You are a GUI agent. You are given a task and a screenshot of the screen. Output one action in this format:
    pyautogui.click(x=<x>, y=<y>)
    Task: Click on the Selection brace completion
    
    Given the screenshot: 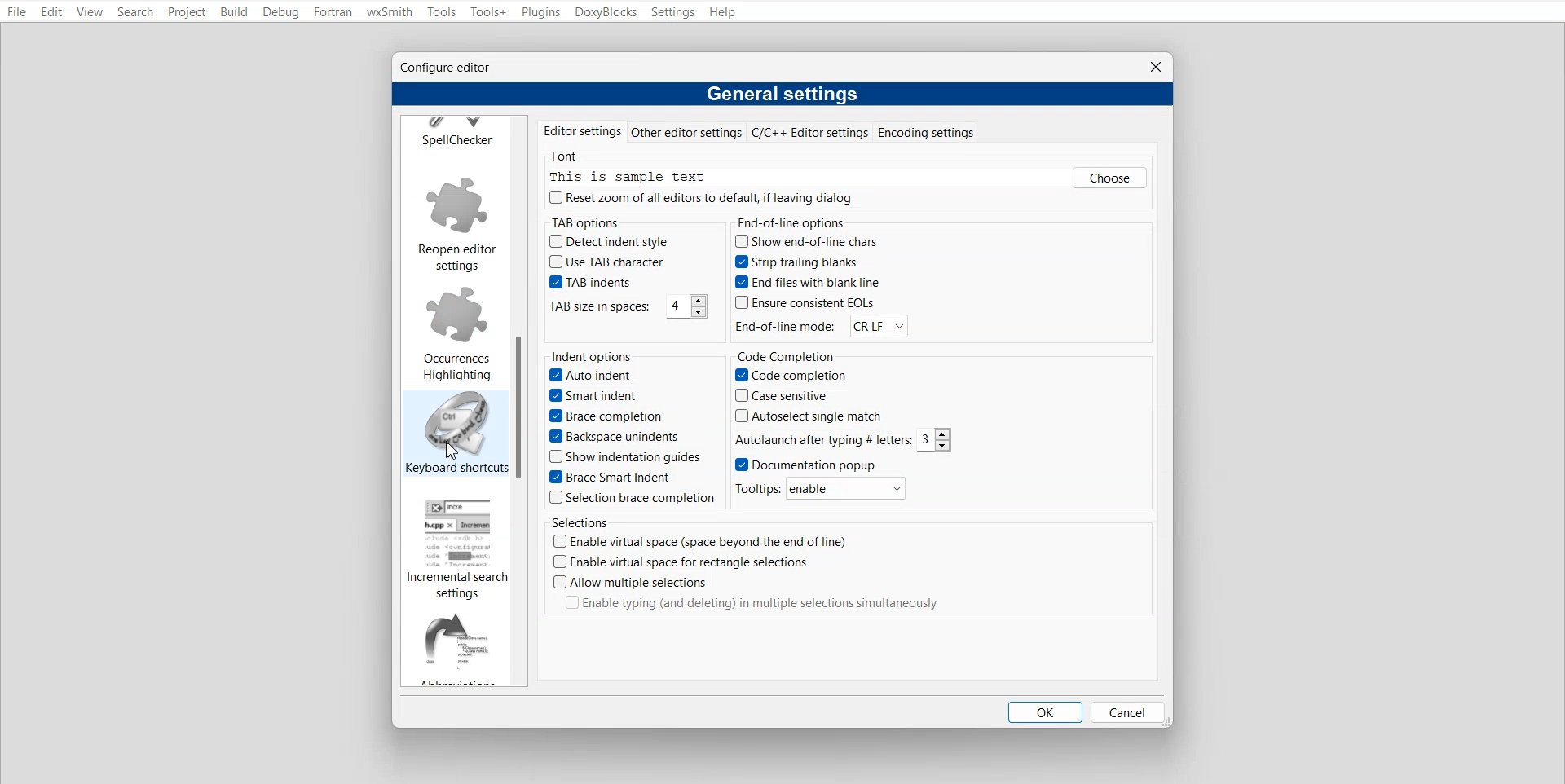 What is the action you would take?
    pyautogui.click(x=628, y=498)
    